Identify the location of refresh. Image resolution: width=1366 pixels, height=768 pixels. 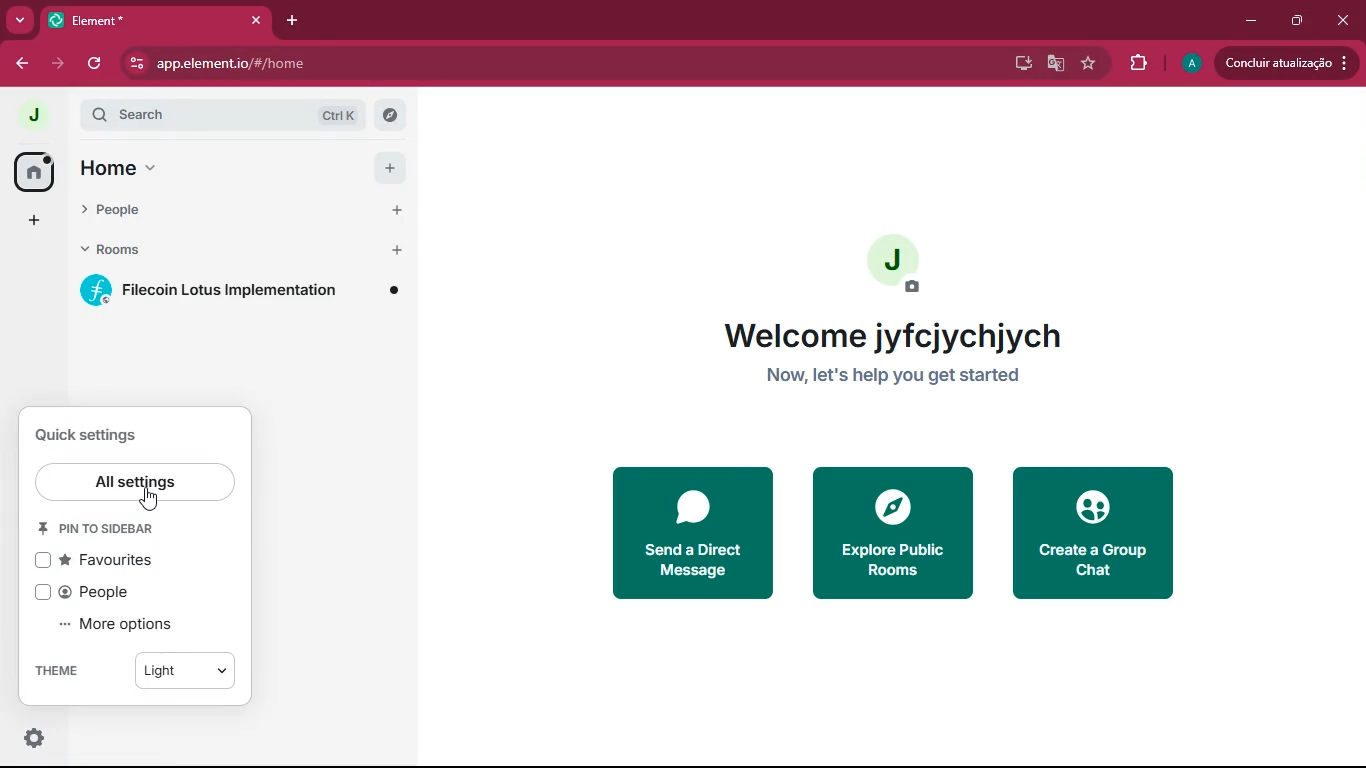
(96, 63).